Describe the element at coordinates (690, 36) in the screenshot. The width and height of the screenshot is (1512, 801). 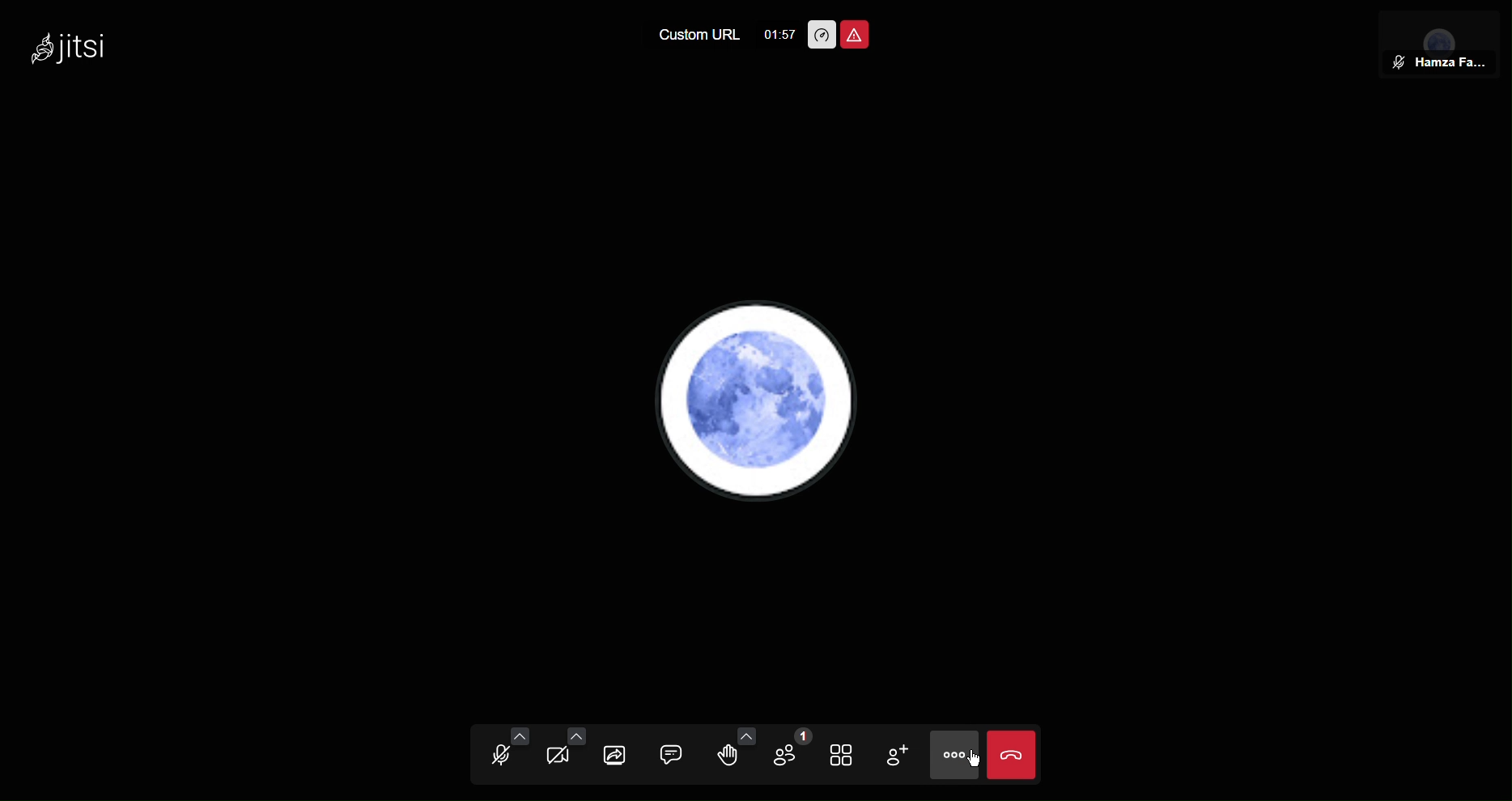
I see `Custom URL` at that location.